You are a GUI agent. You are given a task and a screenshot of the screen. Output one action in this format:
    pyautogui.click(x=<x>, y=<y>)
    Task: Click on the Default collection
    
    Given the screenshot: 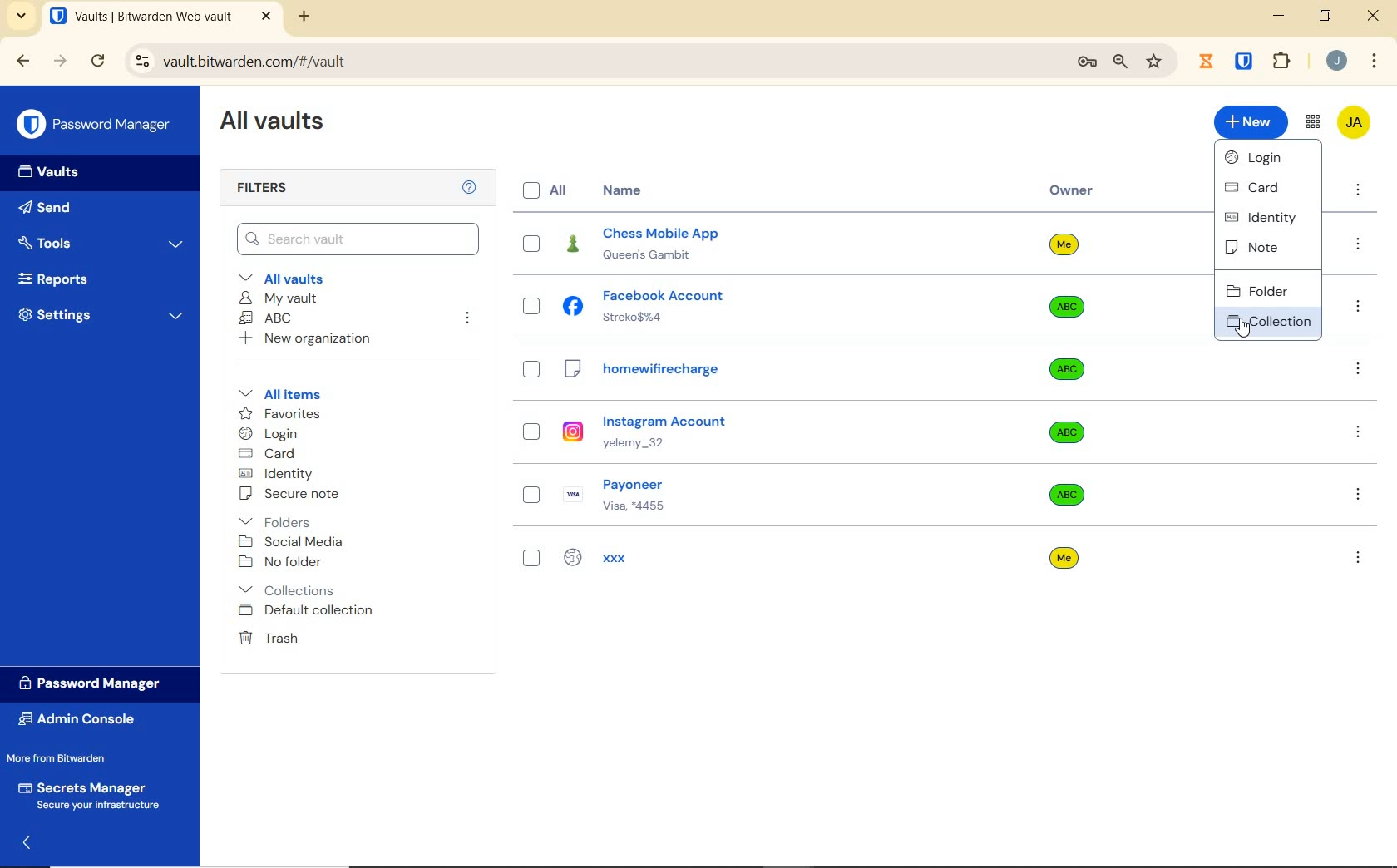 What is the action you would take?
    pyautogui.click(x=323, y=611)
    